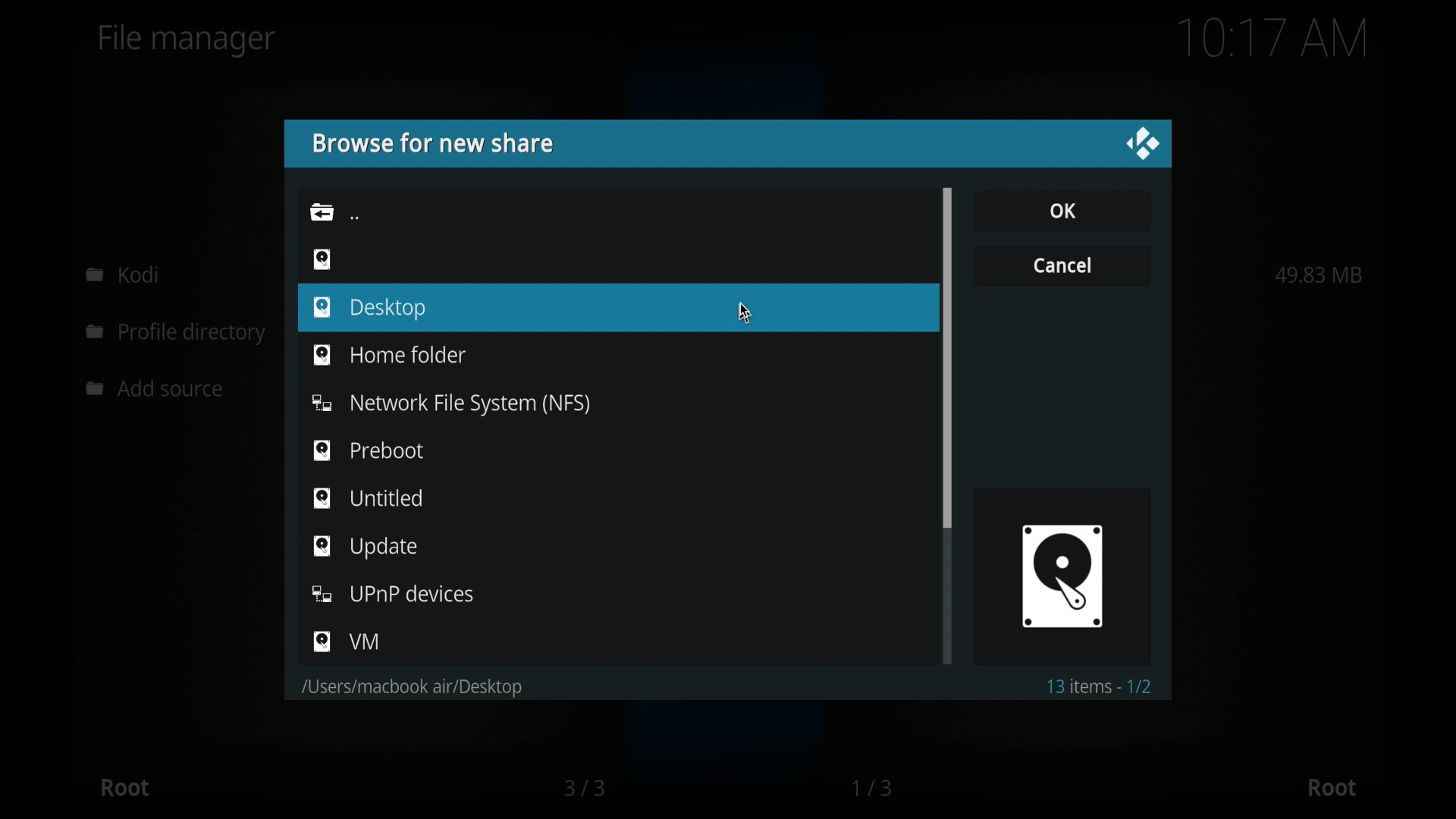 The height and width of the screenshot is (819, 1456). I want to click on 49.83 MB, so click(1319, 275).